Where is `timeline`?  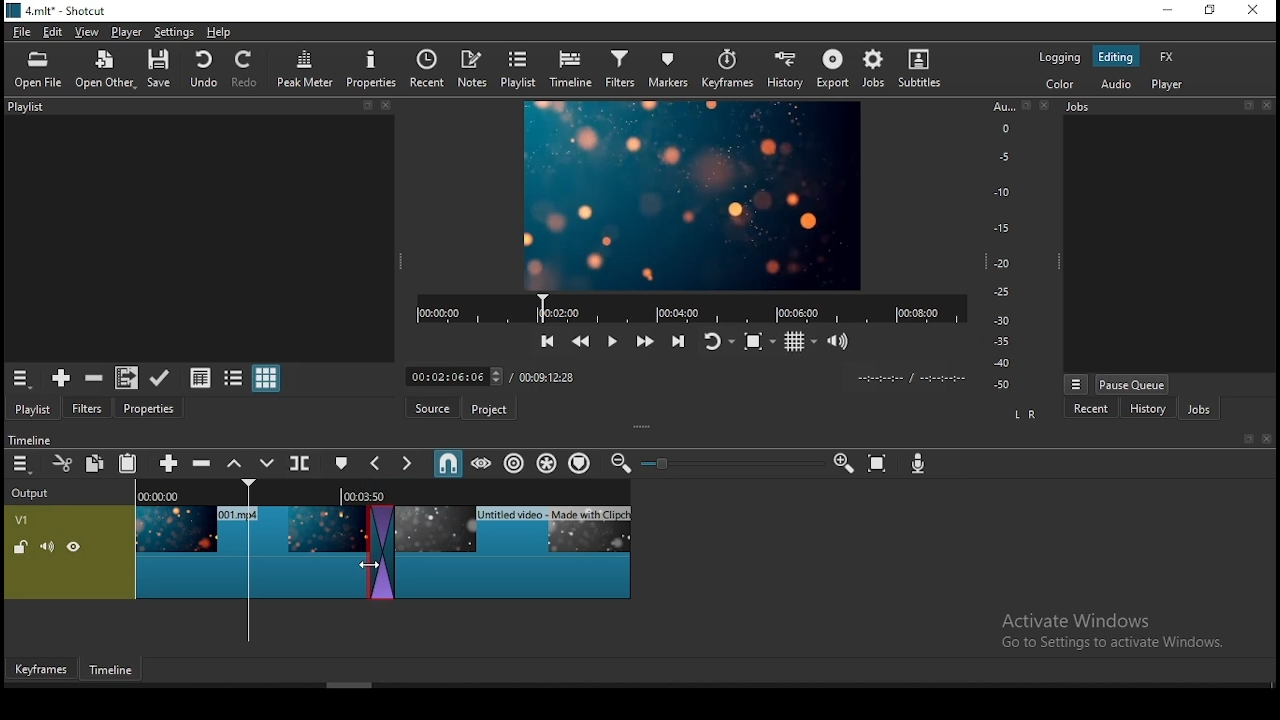
timeline is located at coordinates (111, 670).